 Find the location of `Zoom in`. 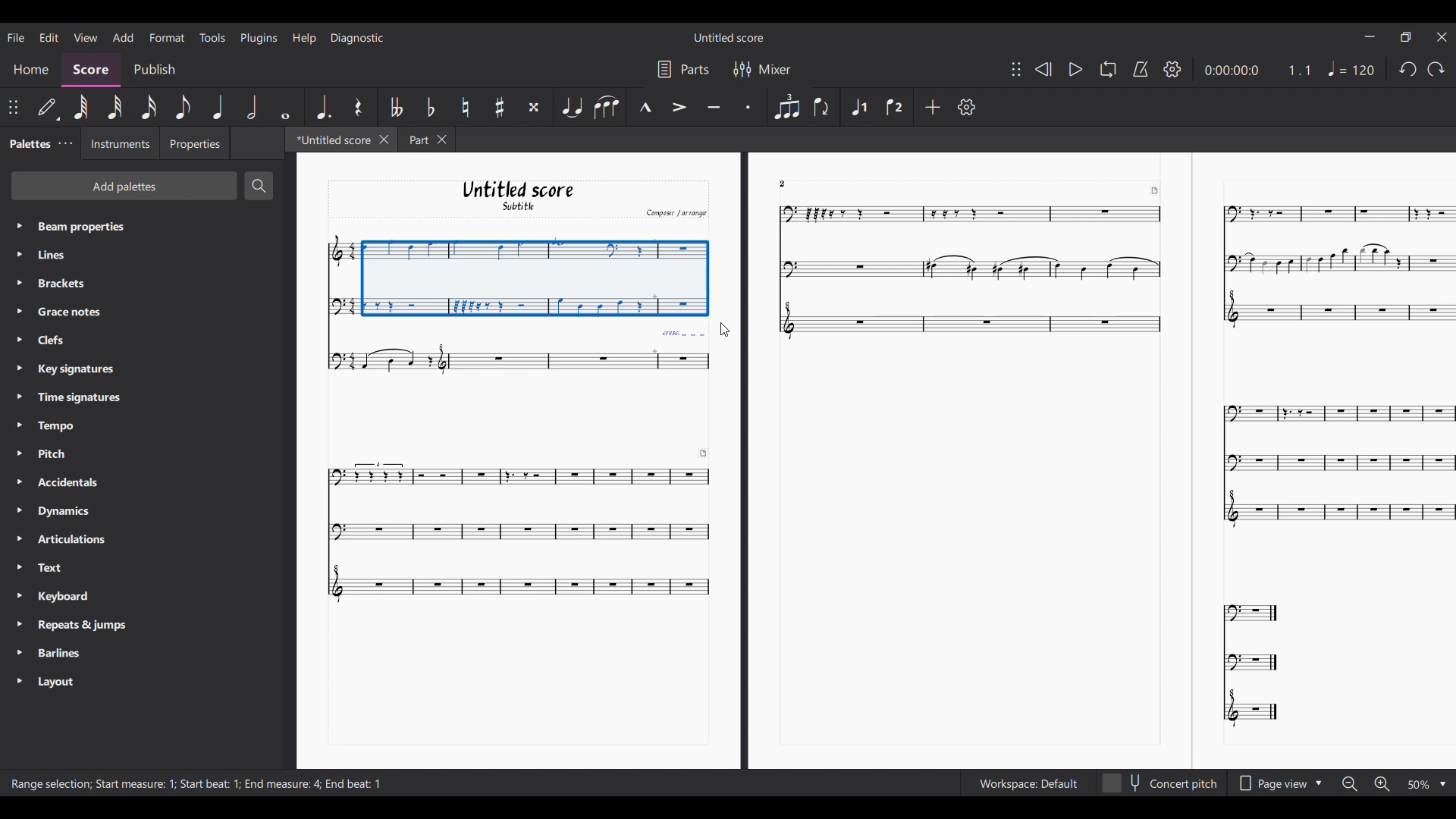

Zoom in is located at coordinates (1381, 784).